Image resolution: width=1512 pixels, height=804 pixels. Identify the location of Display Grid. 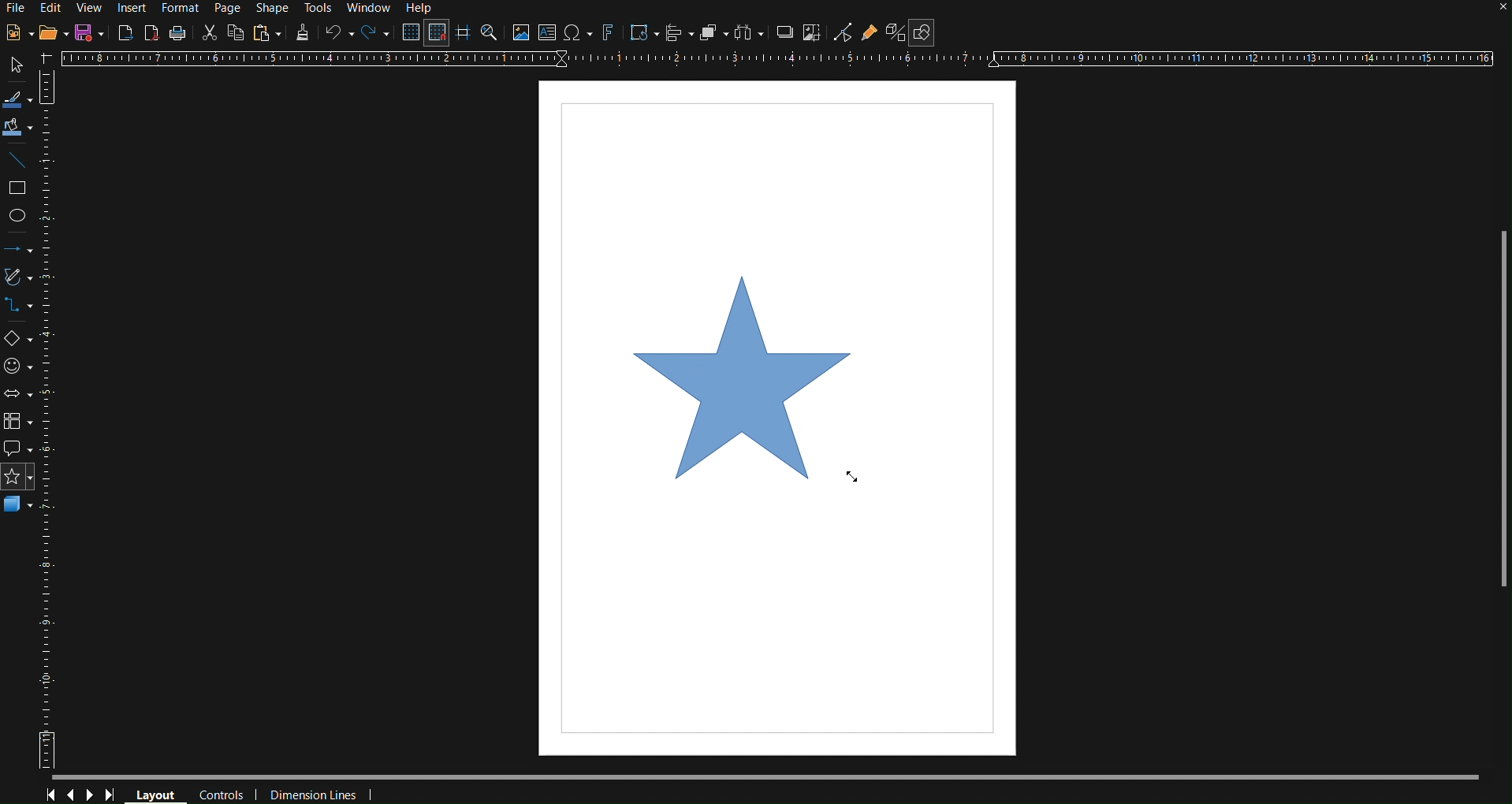
(408, 33).